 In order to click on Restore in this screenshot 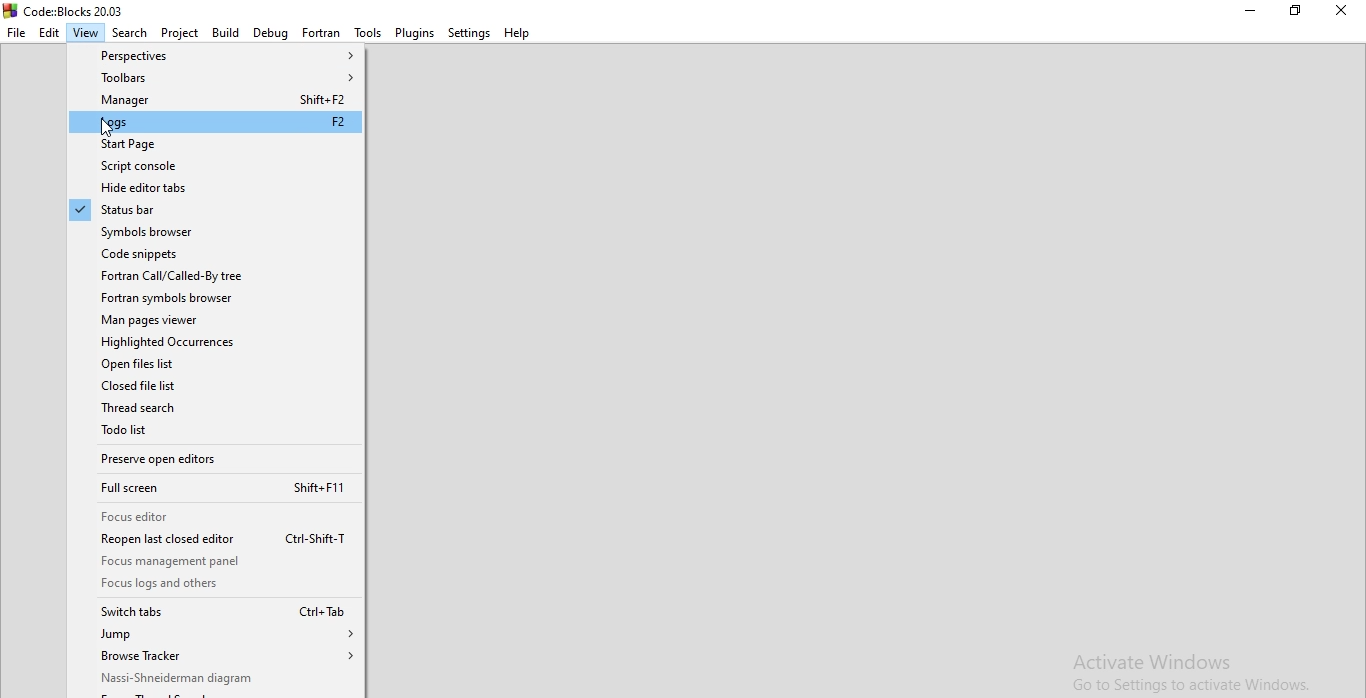, I will do `click(1294, 11)`.